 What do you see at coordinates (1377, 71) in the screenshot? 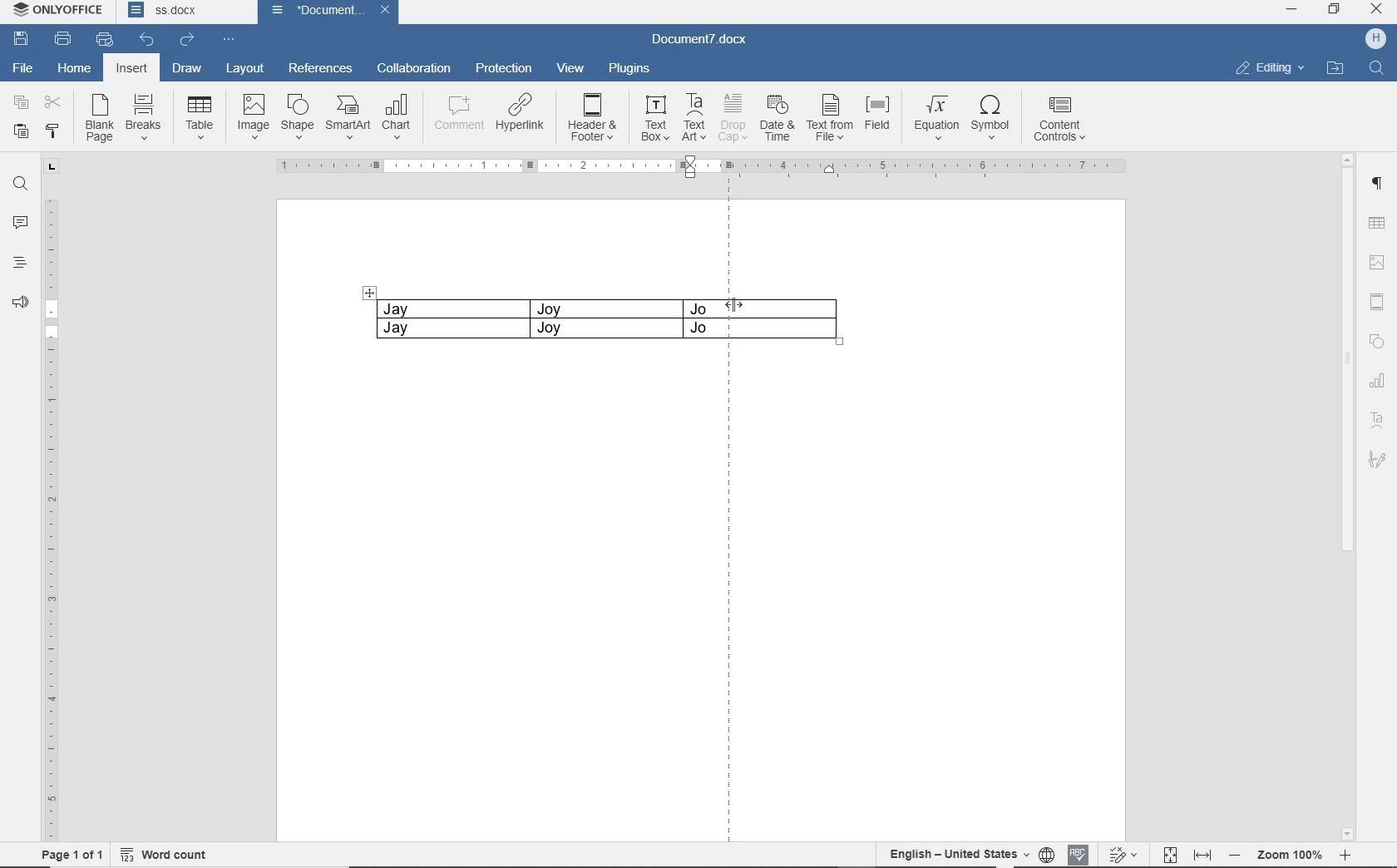
I see `FIND` at bounding box center [1377, 71].